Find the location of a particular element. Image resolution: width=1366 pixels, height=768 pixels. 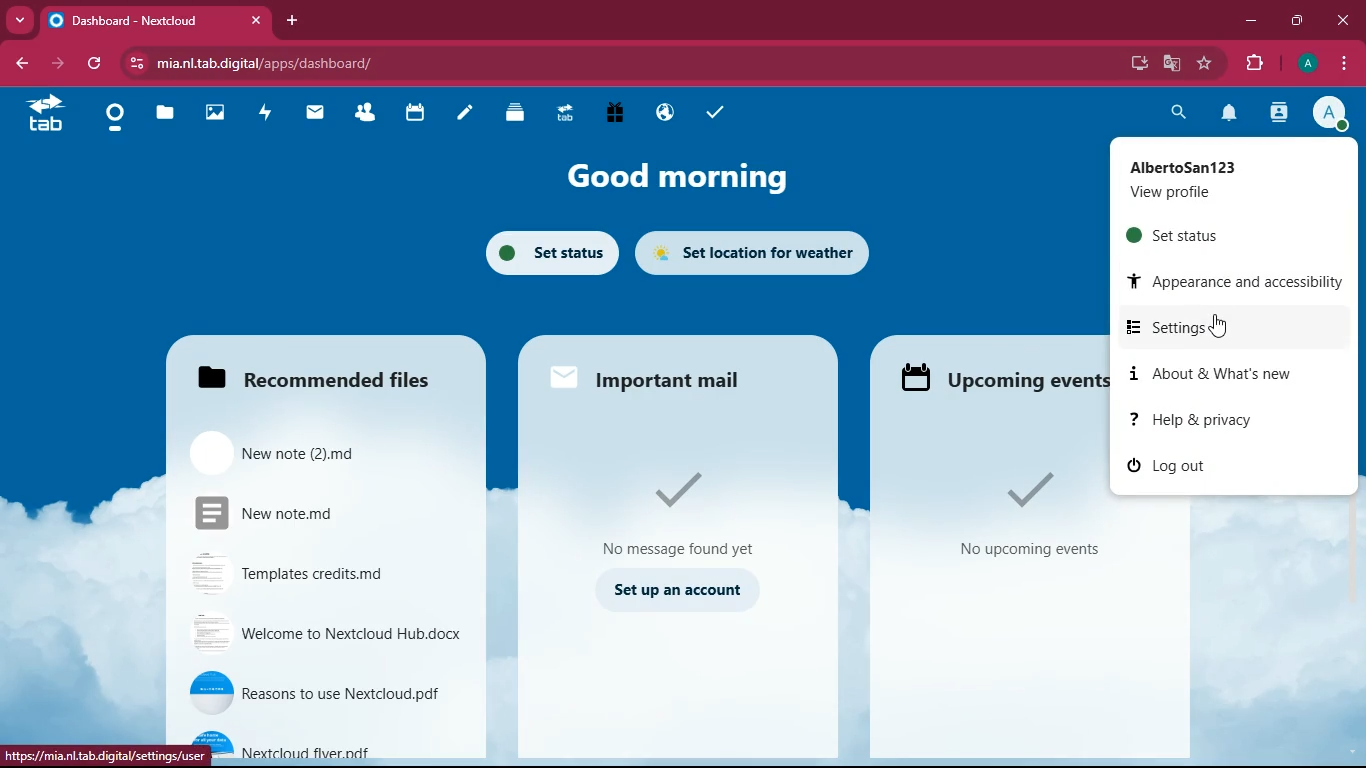

New note.md is located at coordinates (285, 514).